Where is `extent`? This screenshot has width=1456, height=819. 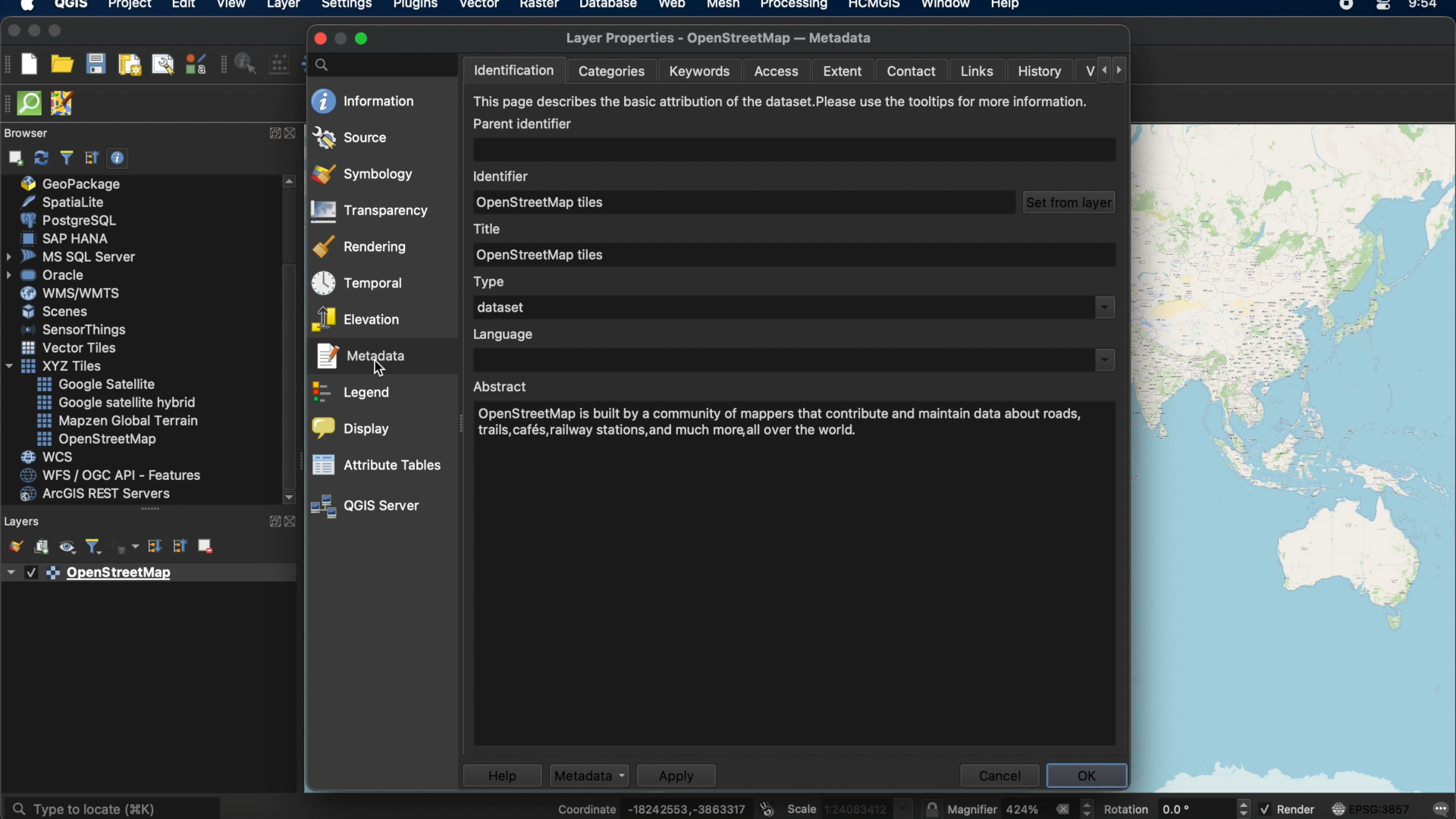
extent is located at coordinates (845, 71).